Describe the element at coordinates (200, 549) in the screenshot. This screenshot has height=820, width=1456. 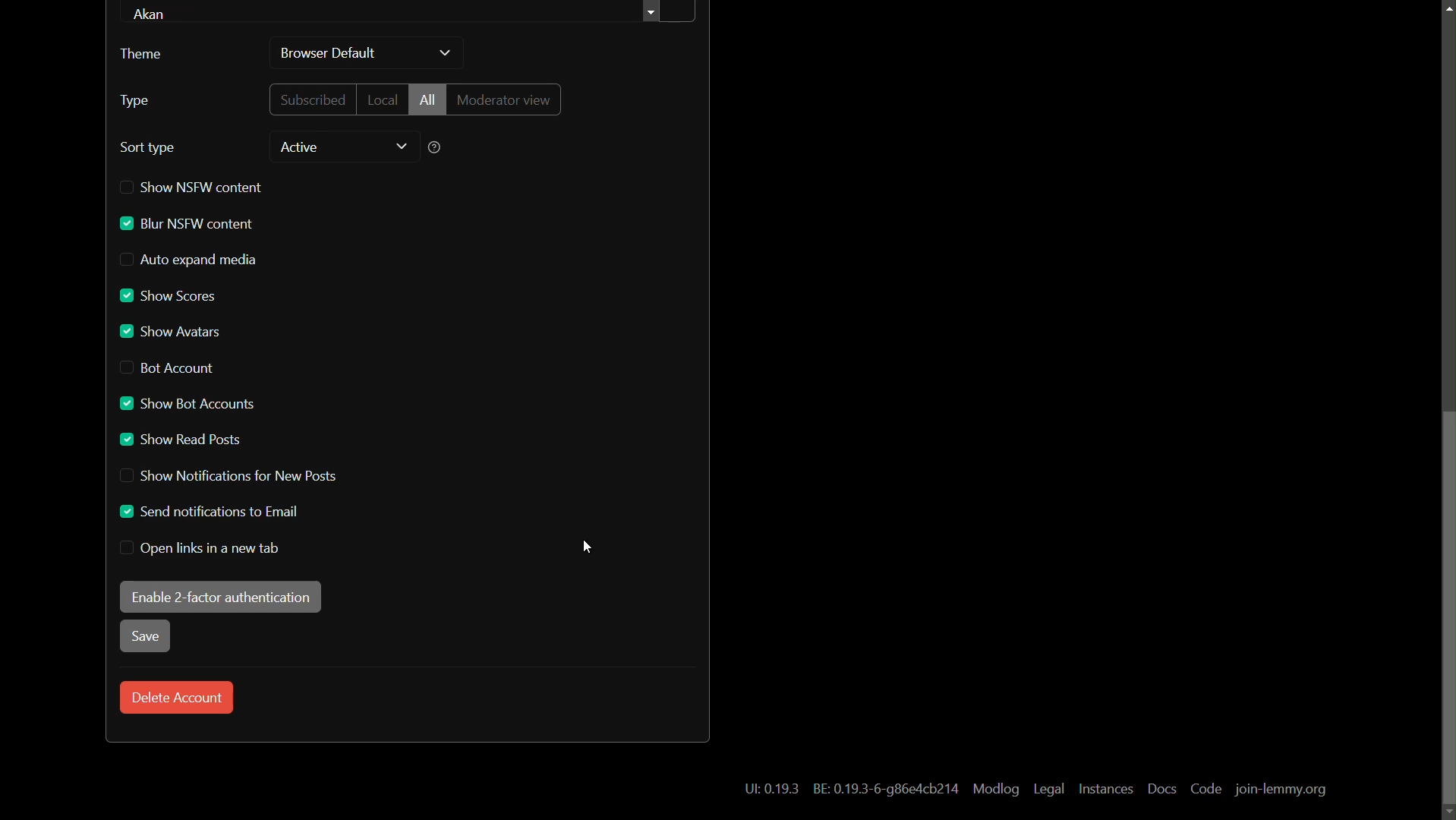
I see `open links in a new tab` at that location.